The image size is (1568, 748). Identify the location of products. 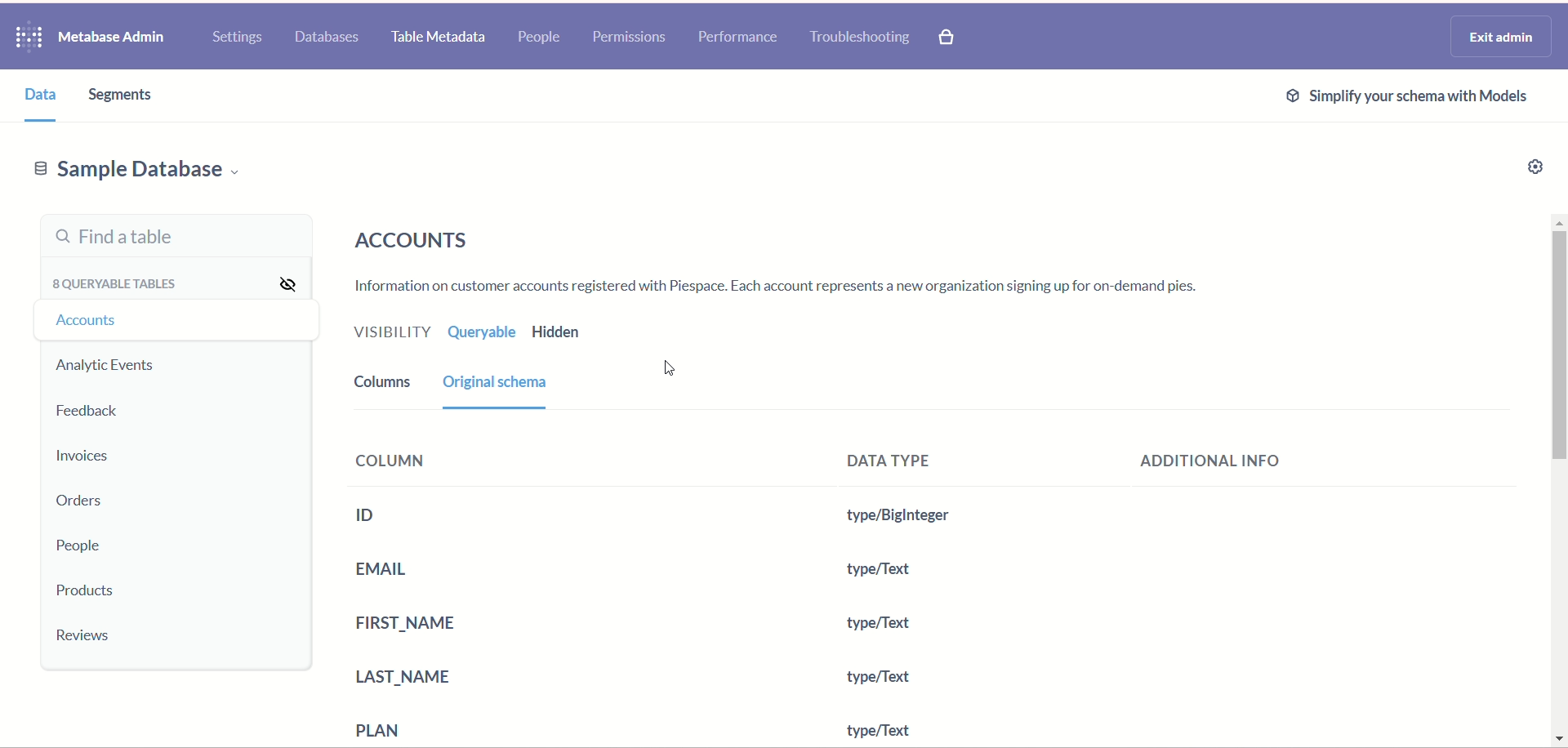
(86, 592).